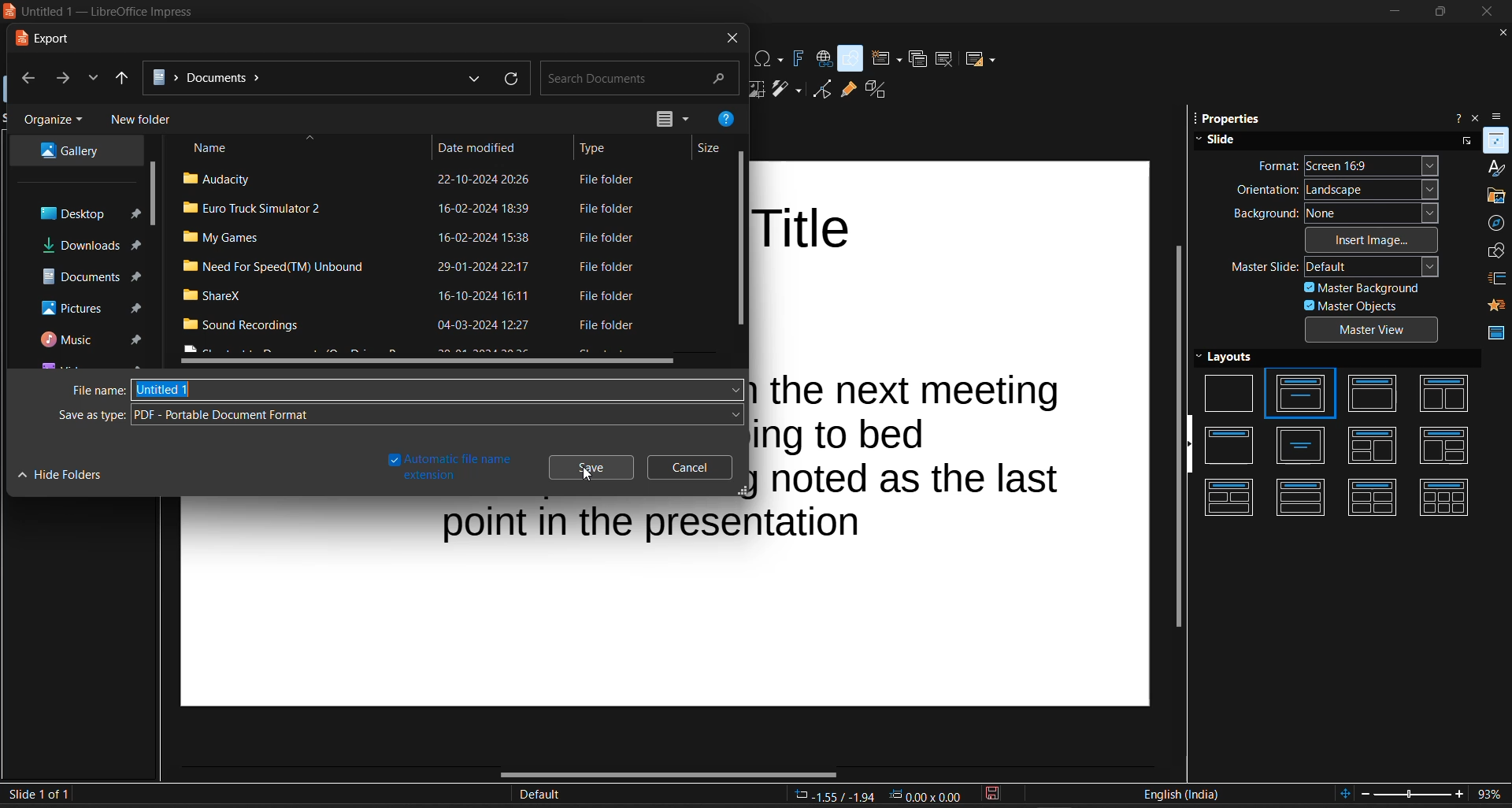  Describe the element at coordinates (62, 475) in the screenshot. I see `hide folders` at that location.